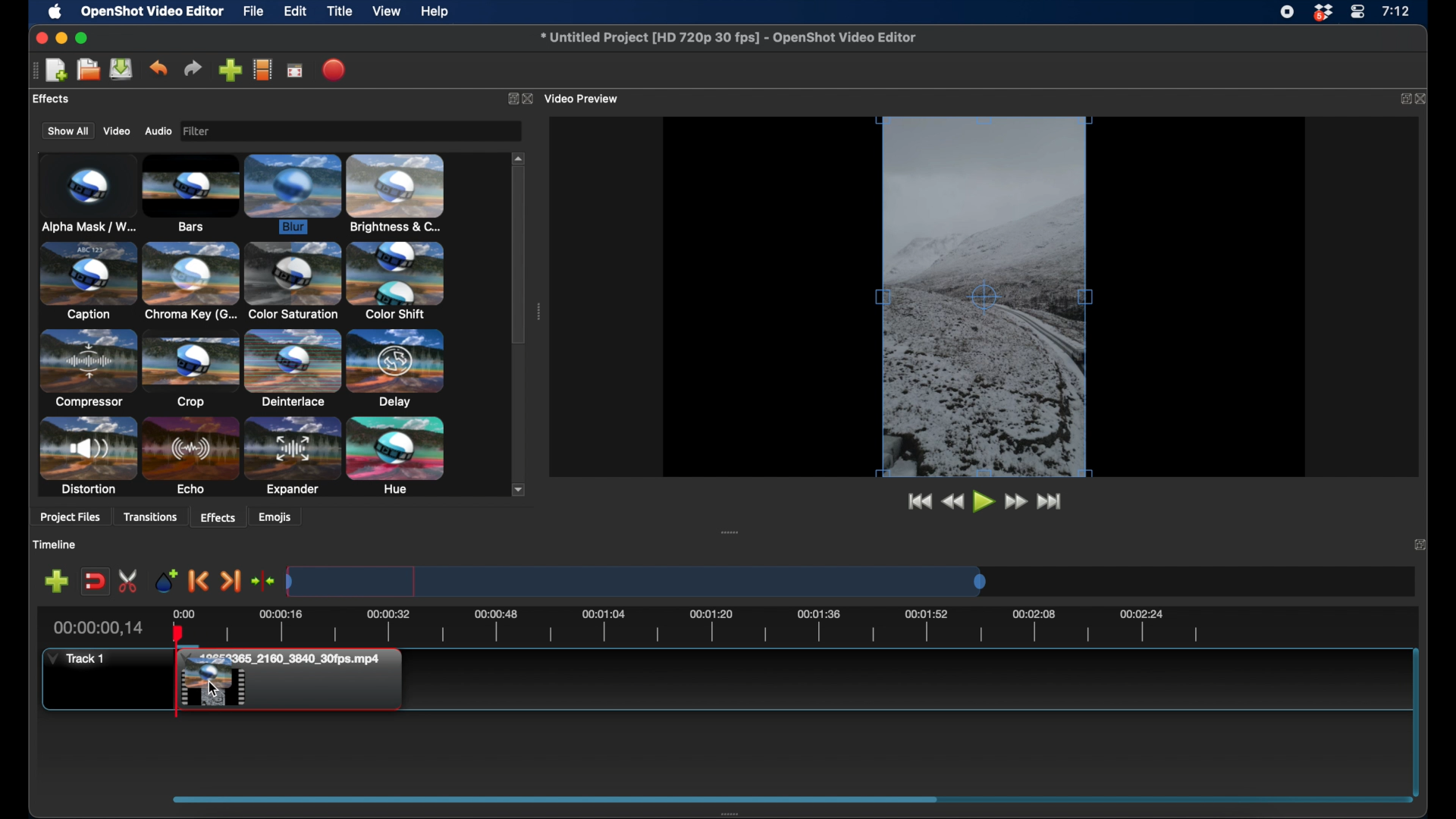 This screenshot has height=819, width=1456. Describe the element at coordinates (58, 580) in the screenshot. I see `add track` at that location.